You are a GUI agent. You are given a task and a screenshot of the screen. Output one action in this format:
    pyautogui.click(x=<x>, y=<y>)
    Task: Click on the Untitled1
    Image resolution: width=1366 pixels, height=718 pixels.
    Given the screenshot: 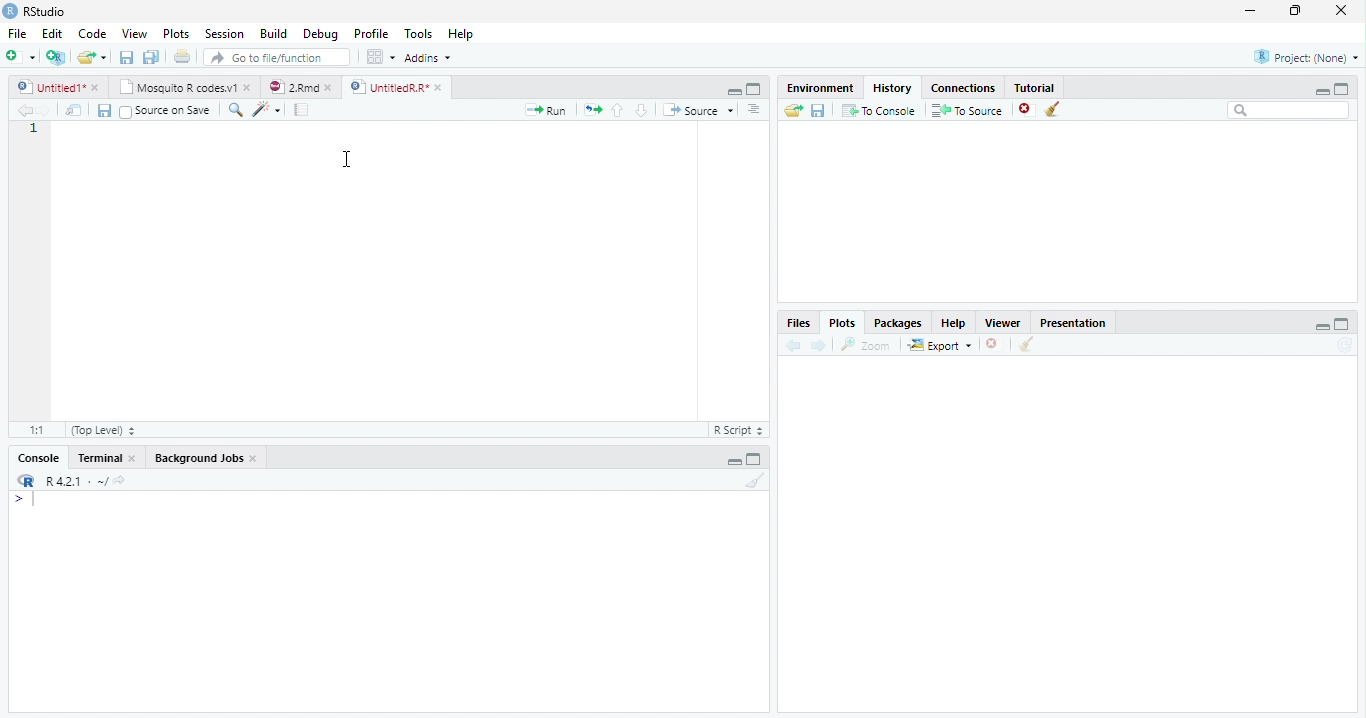 What is the action you would take?
    pyautogui.click(x=58, y=87)
    